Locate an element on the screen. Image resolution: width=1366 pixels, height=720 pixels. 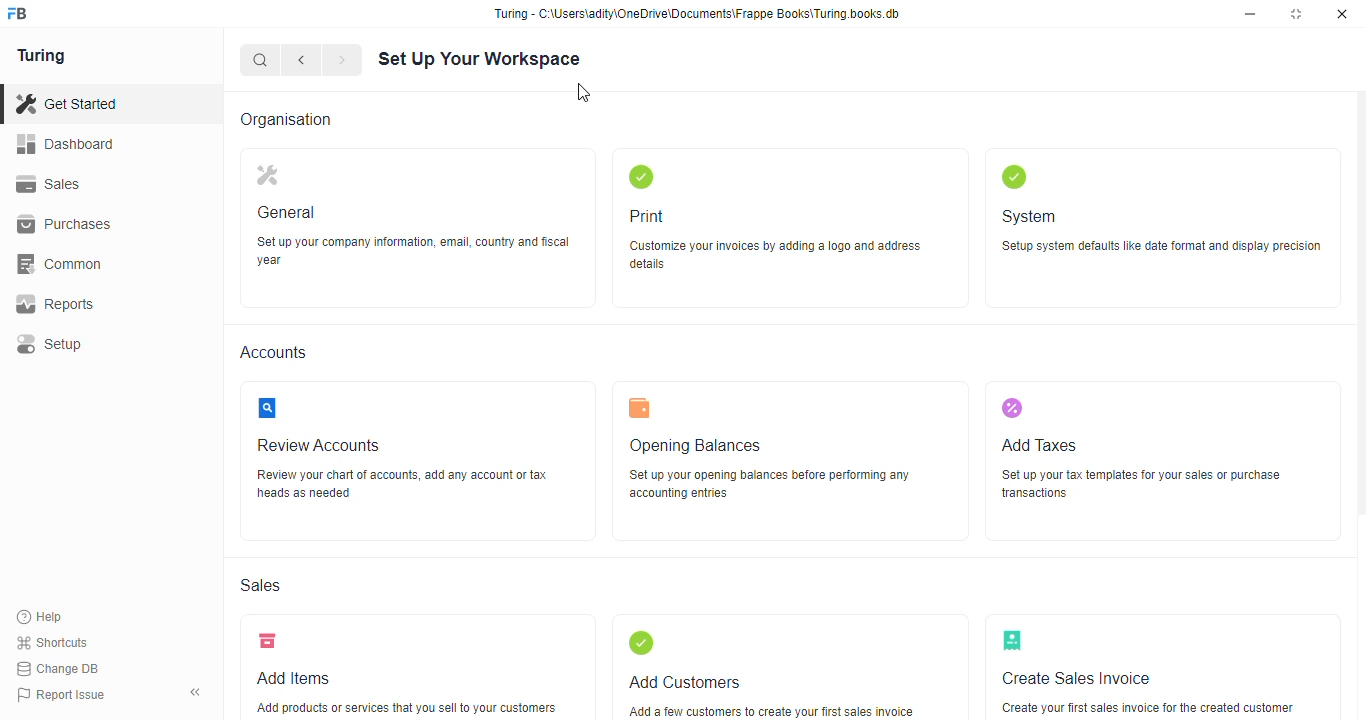
Create Sales Invoice Create your first sales invoice for the created customer is located at coordinates (1166, 665).